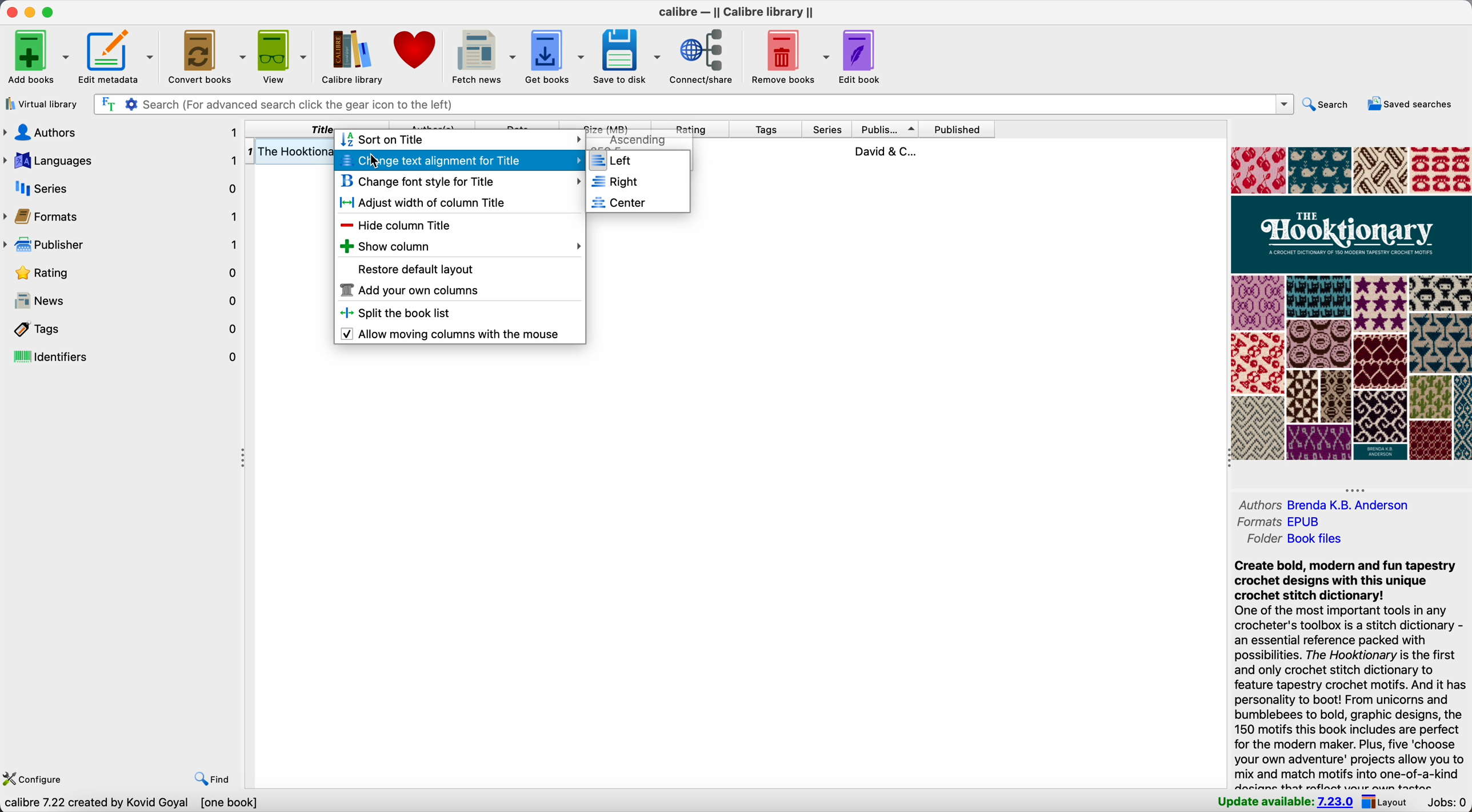 The image size is (1472, 812). What do you see at coordinates (739, 13) in the screenshot?
I see `Calibre - || Calibre library ||` at bounding box center [739, 13].